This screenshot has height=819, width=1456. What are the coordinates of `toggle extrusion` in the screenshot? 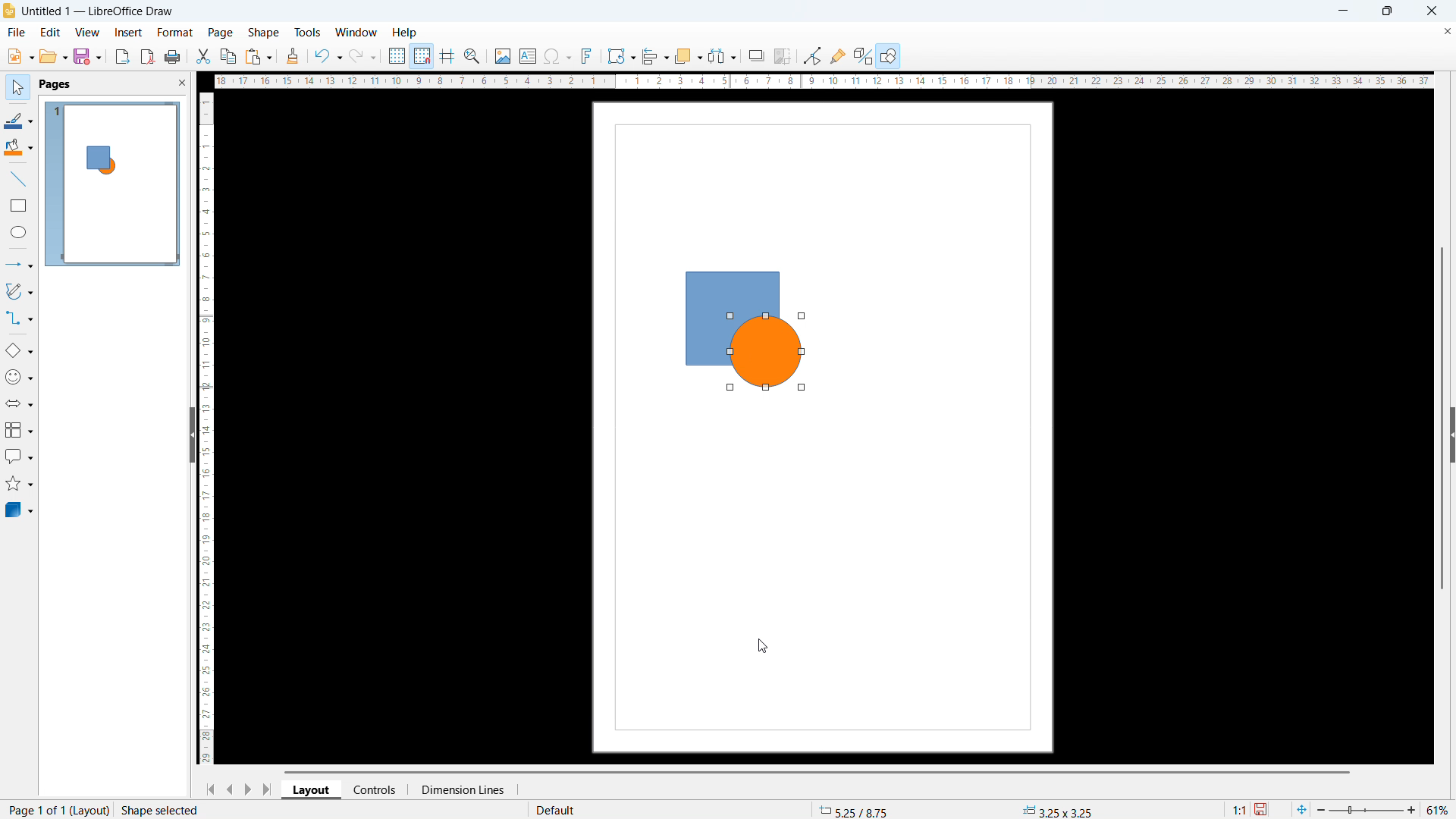 It's located at (863, 55).